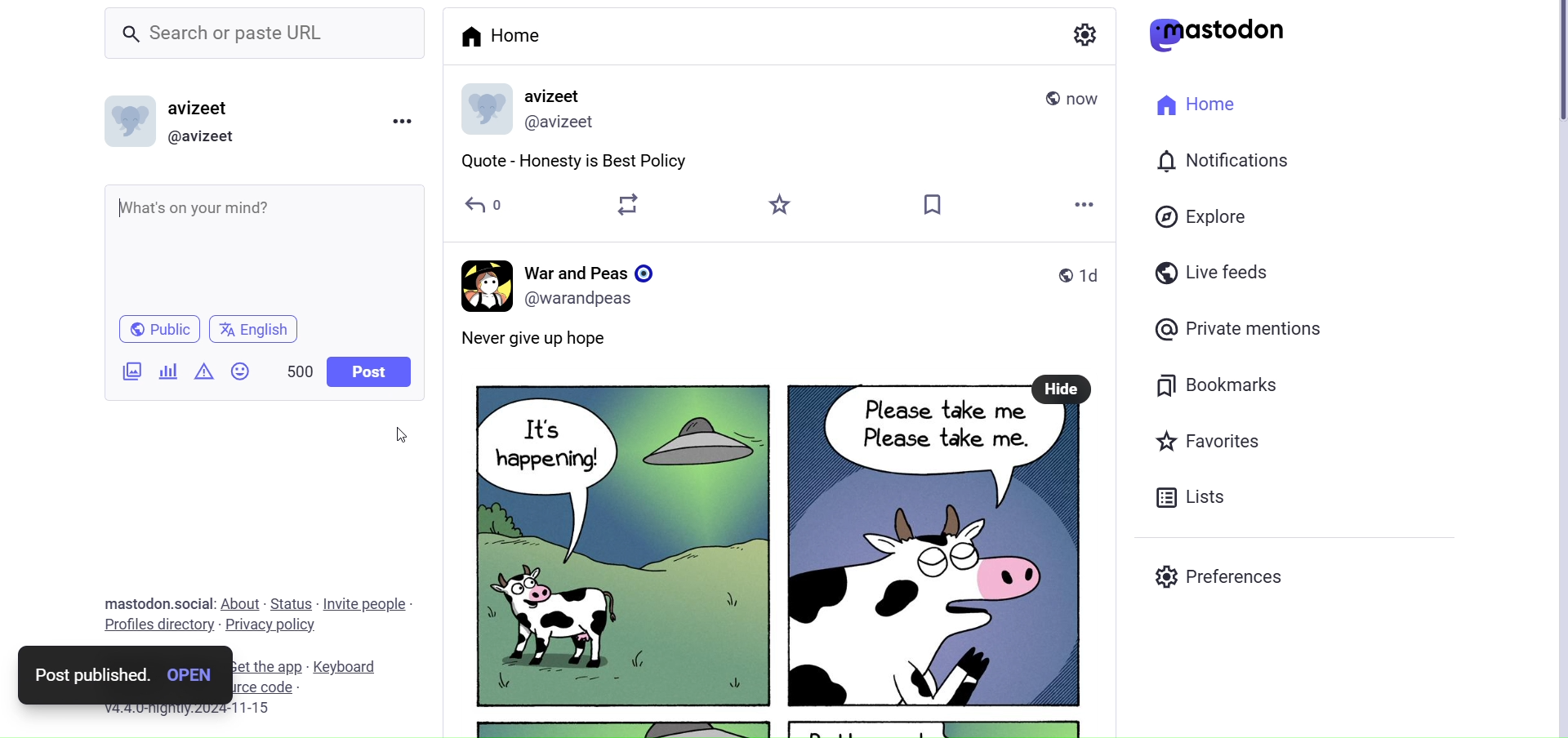 The image size is (1568, 738). I want to click on Bookmarks, so click(1215, 383).